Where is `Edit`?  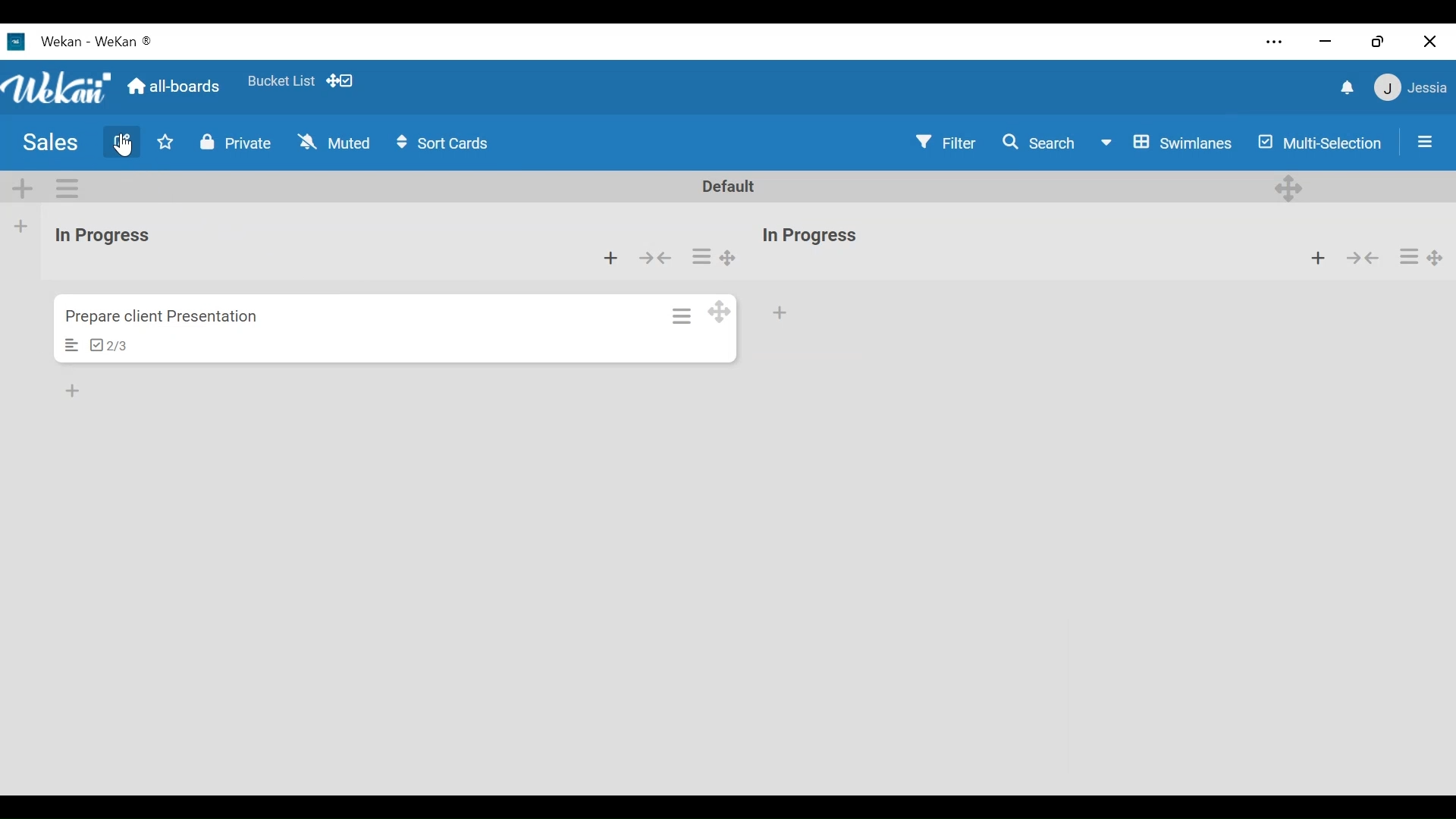 Edit is located at coordinates (122, 140).